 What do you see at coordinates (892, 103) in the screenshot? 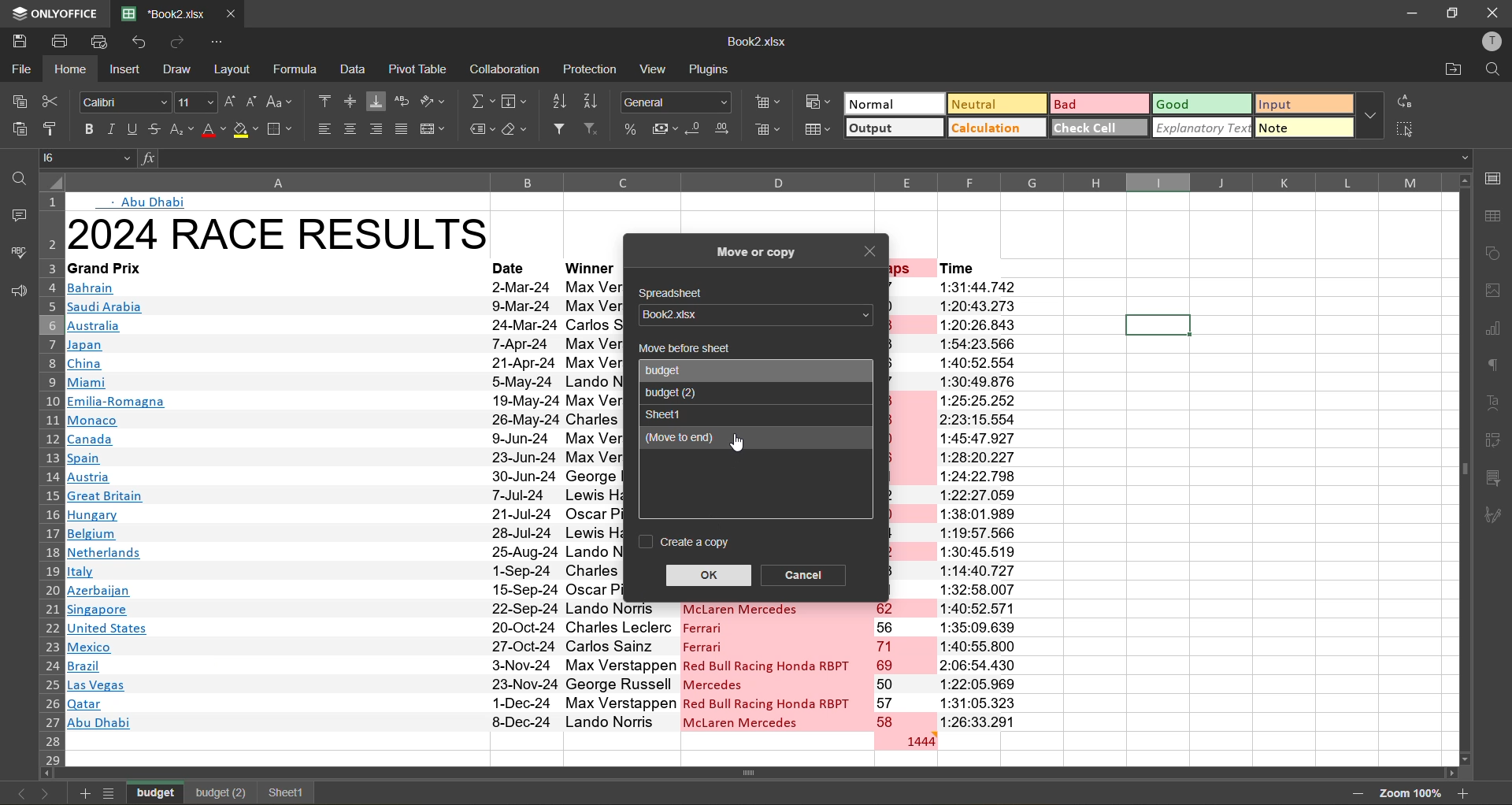
I see `normal` at bounding box center [892, 103].